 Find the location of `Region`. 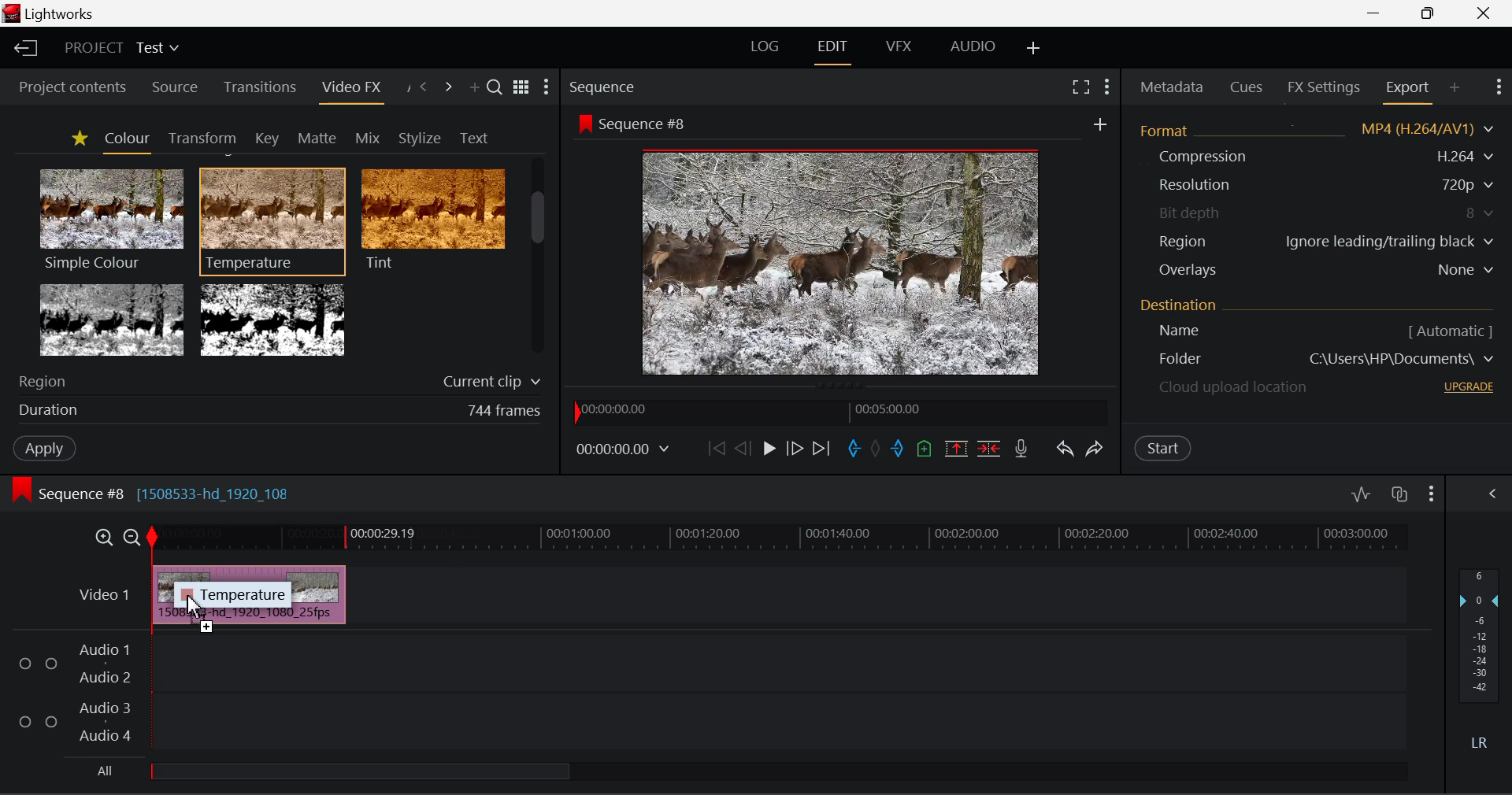

Region is located at coordinates (46, 380).